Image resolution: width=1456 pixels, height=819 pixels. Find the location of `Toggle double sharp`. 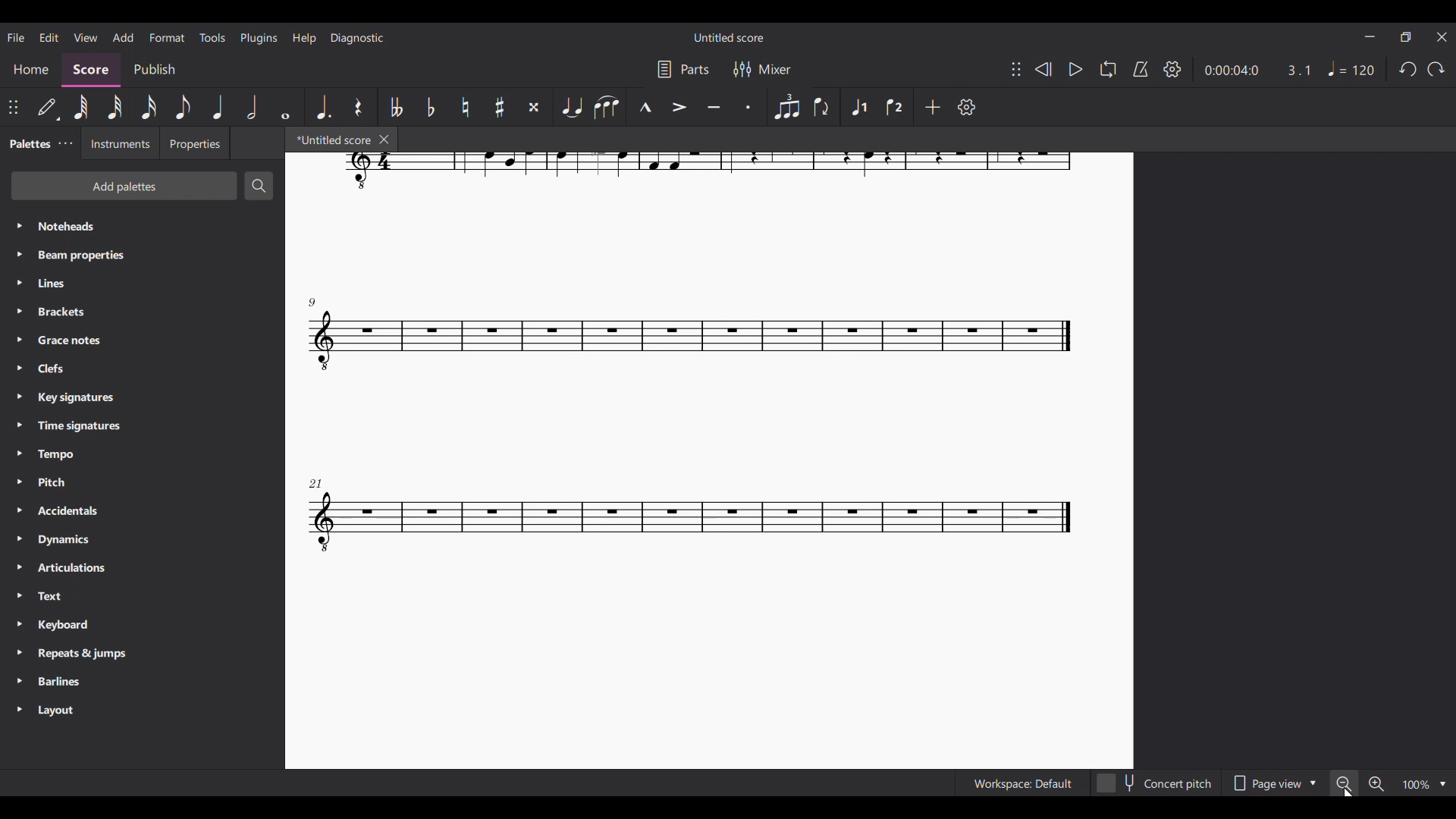

Toggle double sharp is located at coordinates (534, 107).